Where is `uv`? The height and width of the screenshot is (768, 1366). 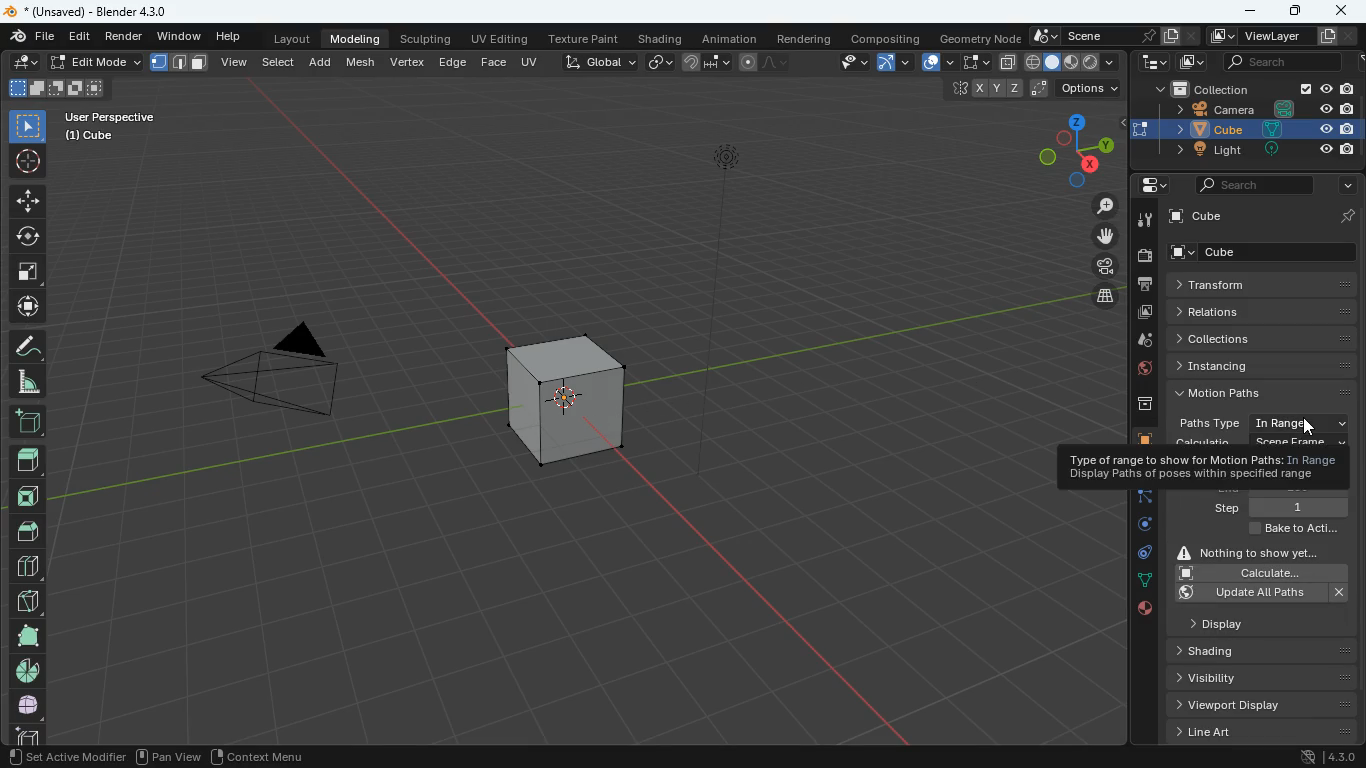 uv is located at coordinates (531, 60).